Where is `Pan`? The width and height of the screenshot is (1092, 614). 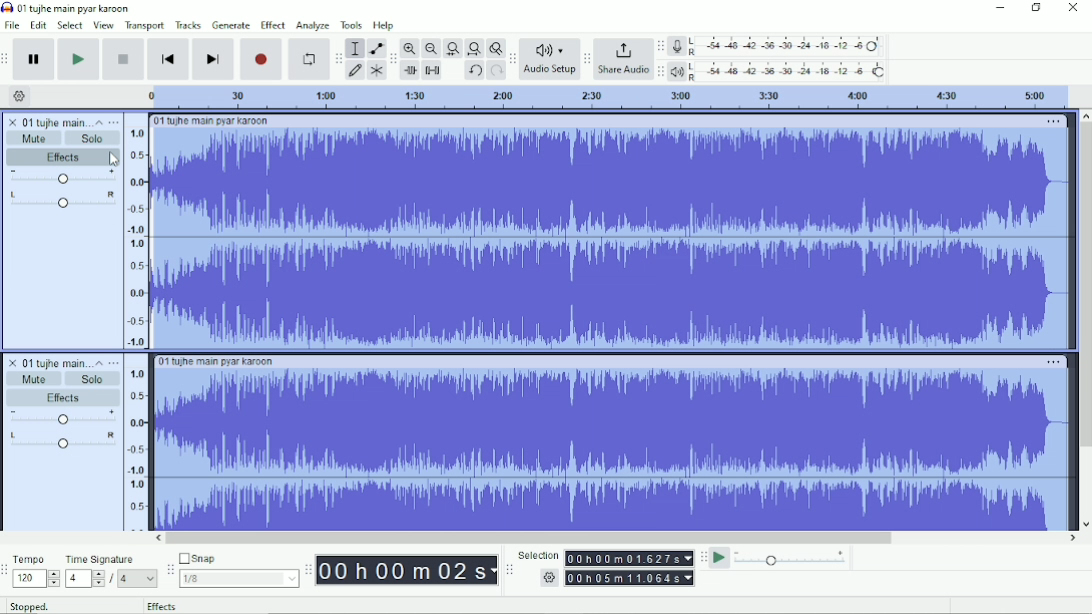 Pan is located at coordinates (60, 444).